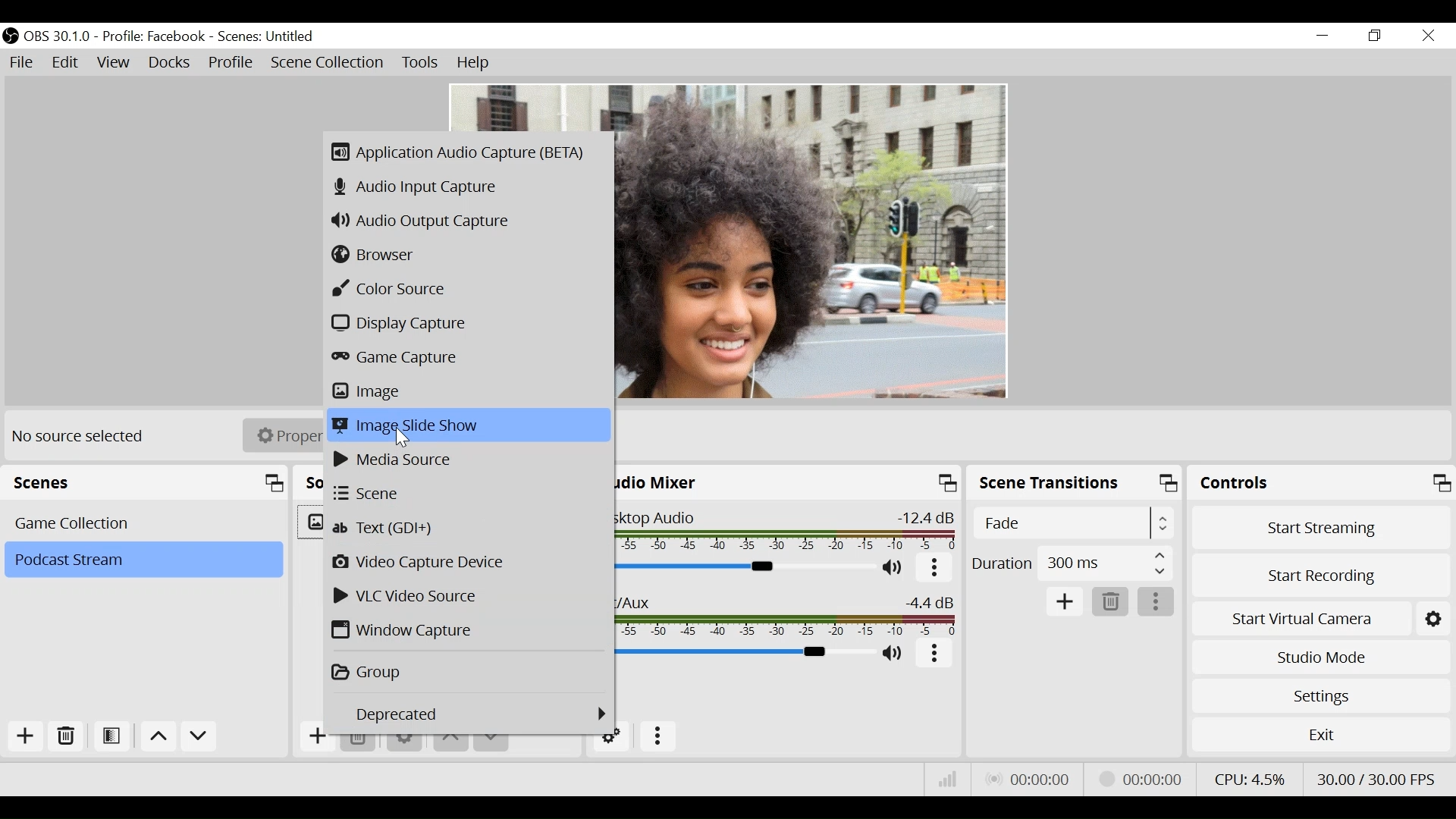  Describe the element at coordinates (143, 560) in the screenshot. I see `Scene ` at that location.